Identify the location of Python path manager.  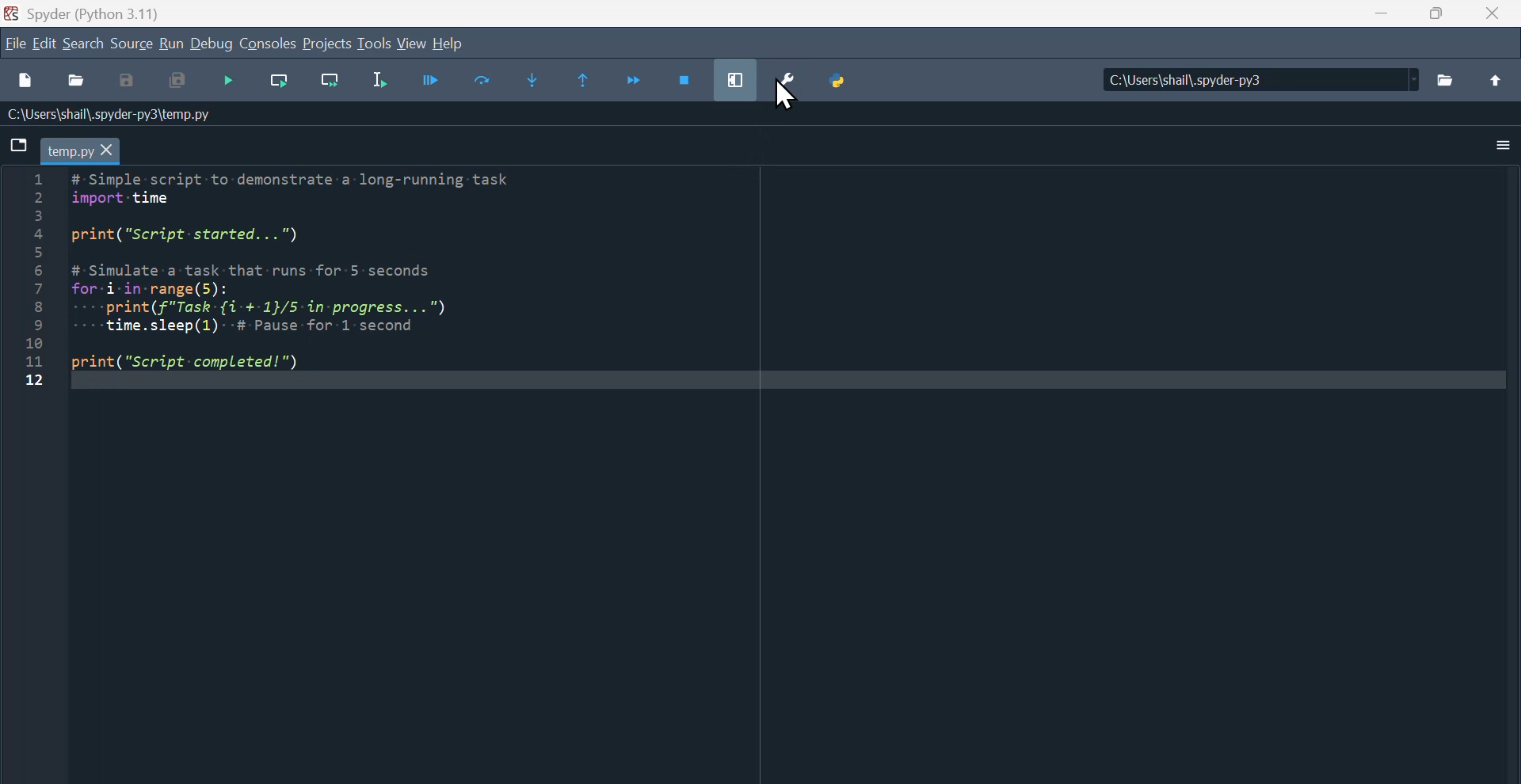
(842, 78).